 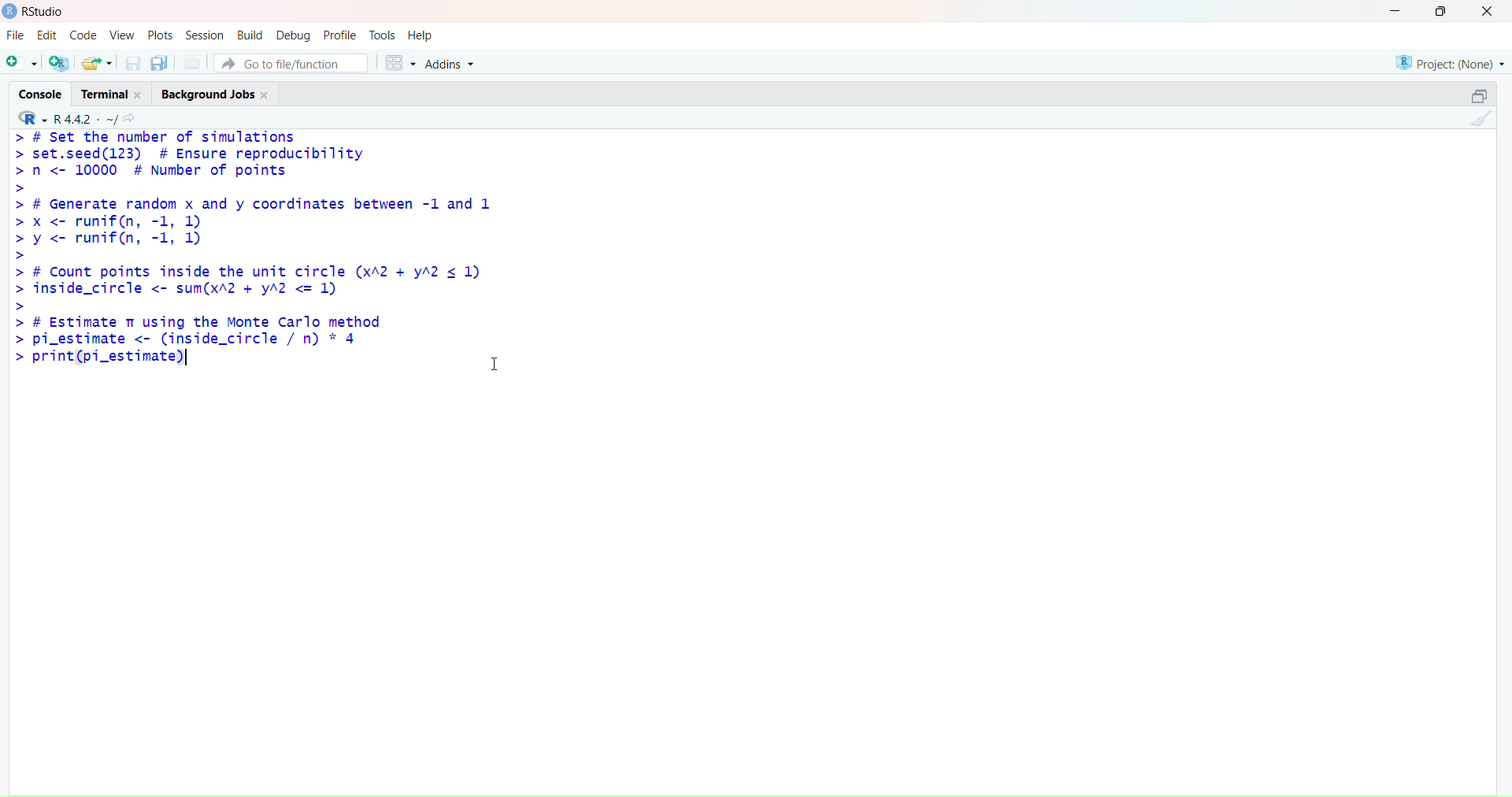 What do you see at coordinates (83, 35) in the screenshot?
I see `Code` at bounding box center [83, 35].